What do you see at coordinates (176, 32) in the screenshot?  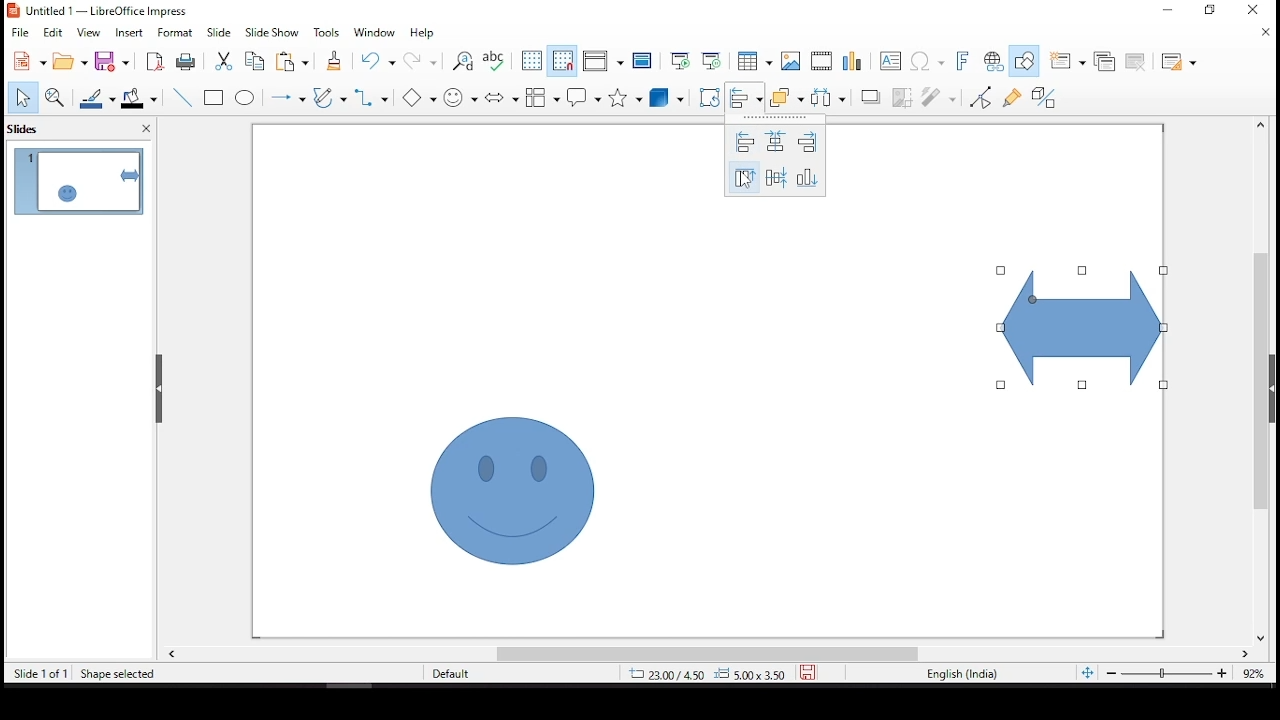 I see `format` at bounding box center [176, 32].